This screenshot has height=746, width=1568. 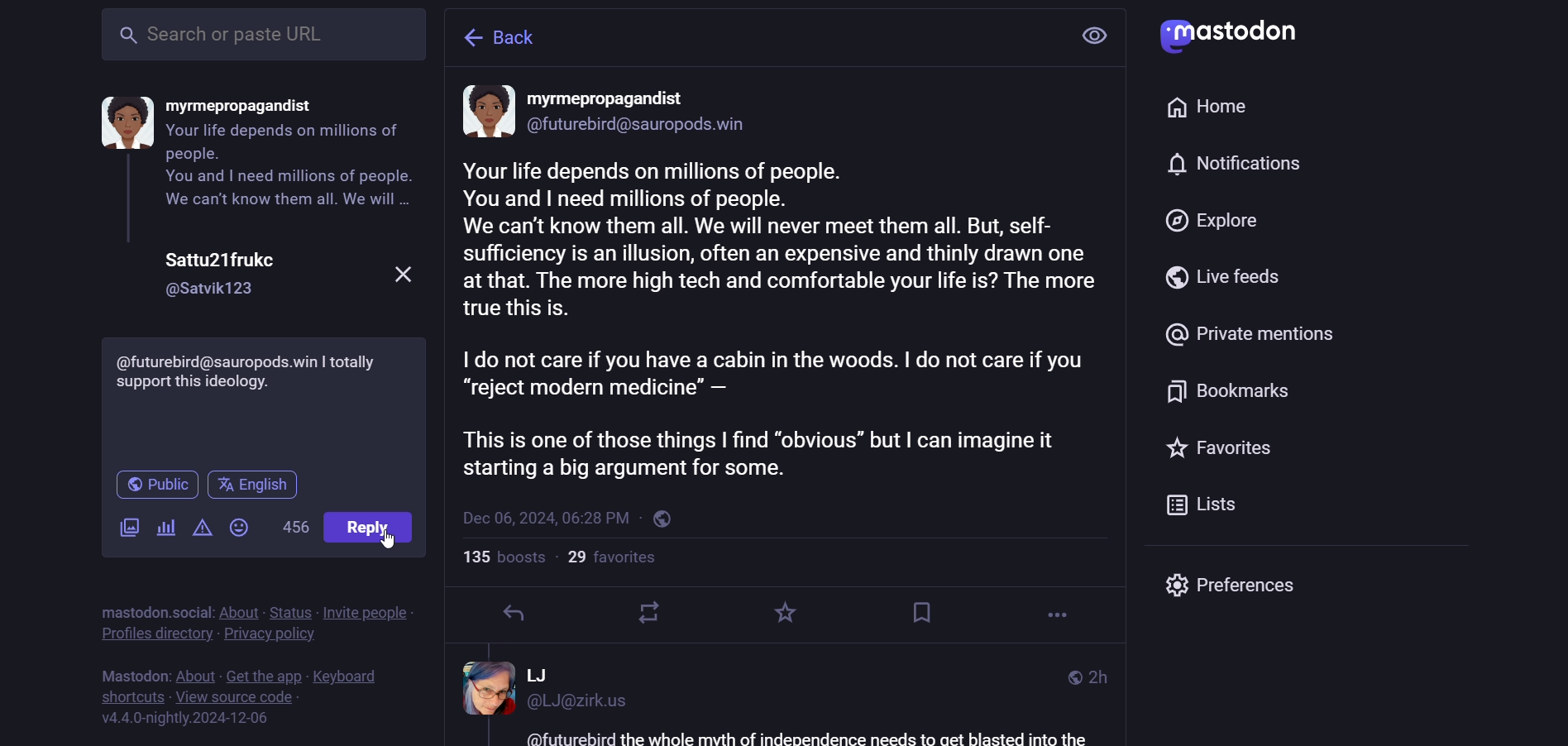 What do you see at coordinates (586, 706) in the screenshot?
I see `id` at bounding box center [586, 706].